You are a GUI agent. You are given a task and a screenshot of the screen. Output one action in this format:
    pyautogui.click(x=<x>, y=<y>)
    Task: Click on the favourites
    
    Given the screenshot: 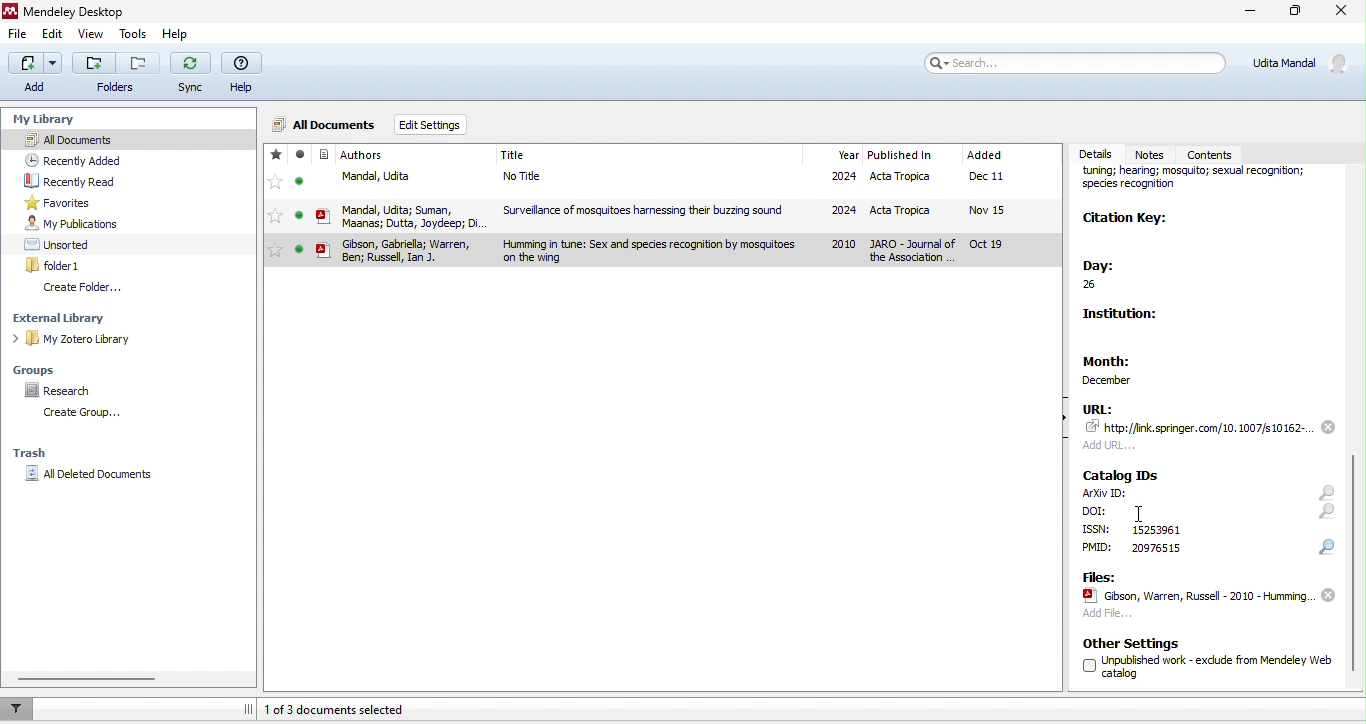 What is the action you would take?
    pyautogui.click(x=63, y=203)
    